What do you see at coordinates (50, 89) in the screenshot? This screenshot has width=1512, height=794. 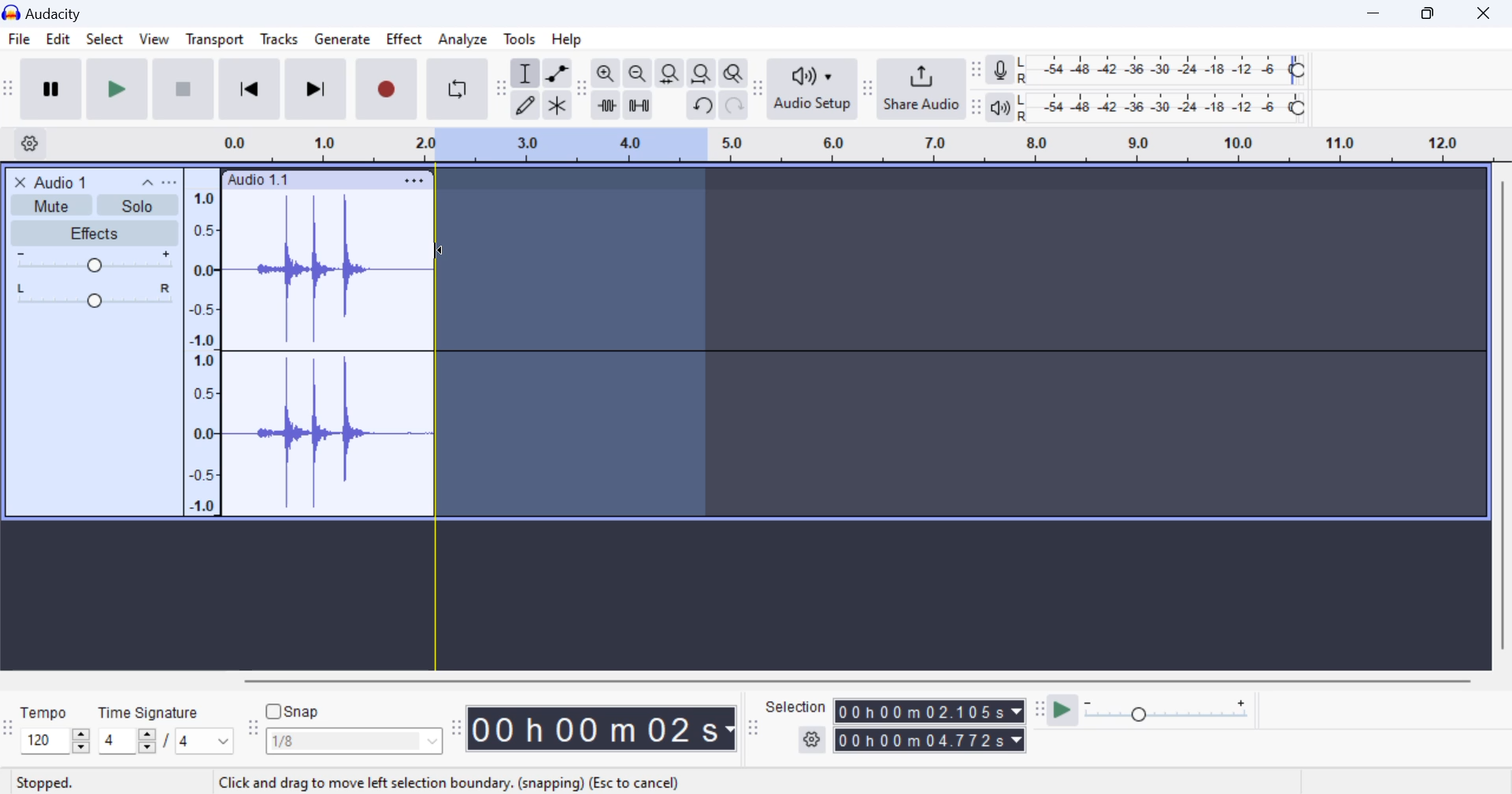 I see `Pause` at bounding box center [50, 89].